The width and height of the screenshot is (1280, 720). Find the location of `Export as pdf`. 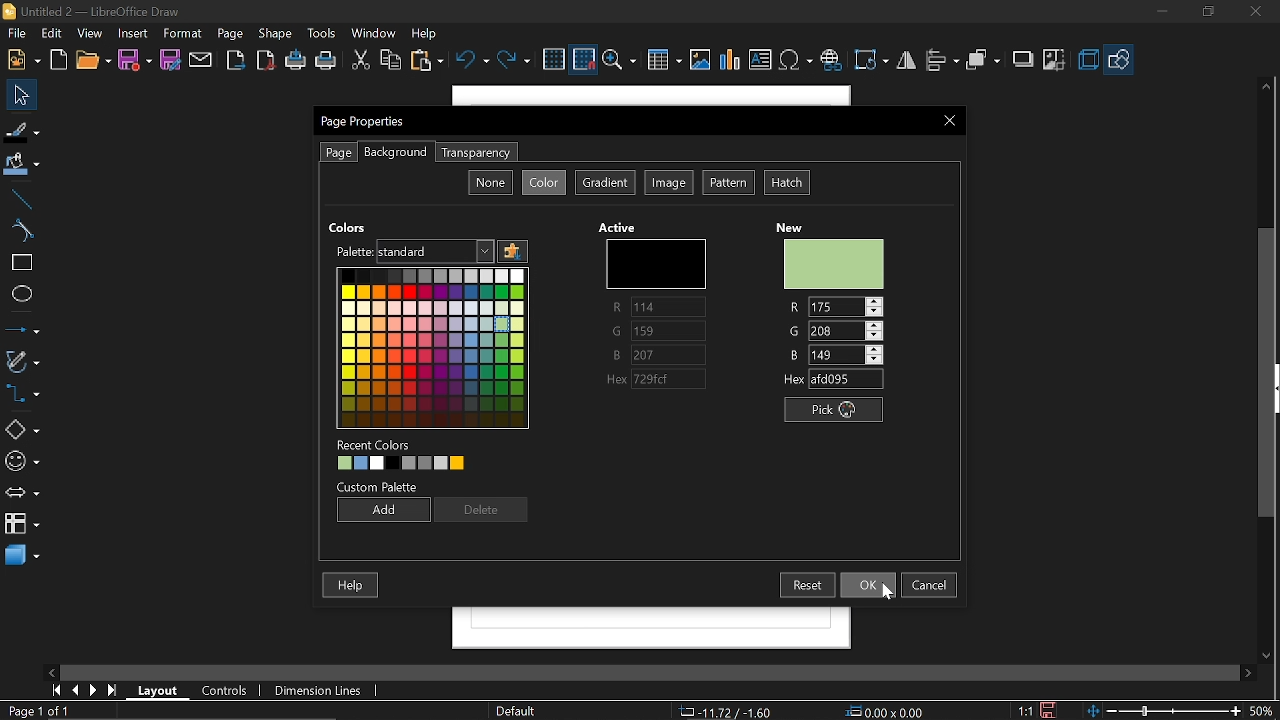

Export as pdf is located at coordinates (265, 60).